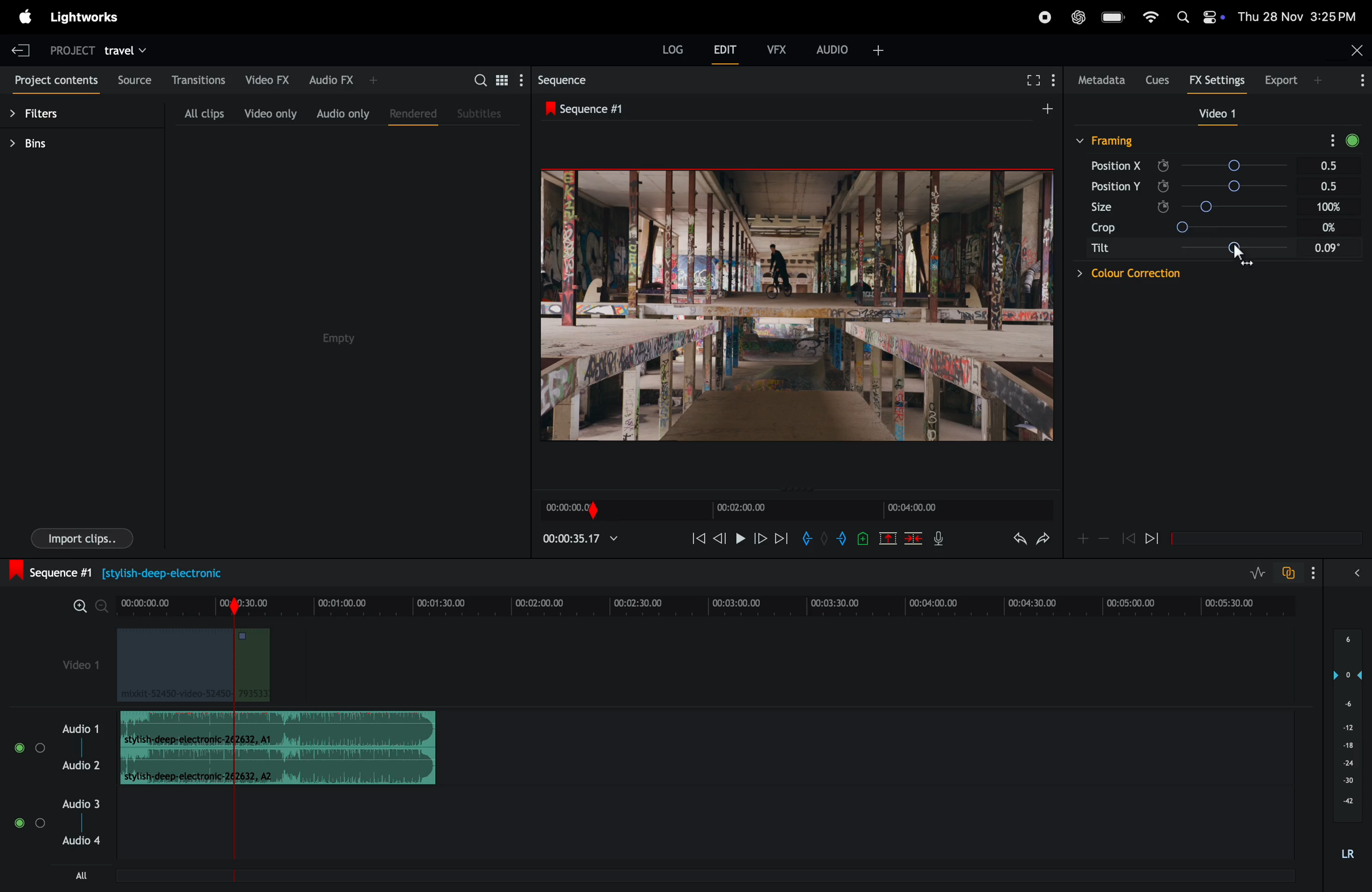 This screenshot has width=1372, height=892. I want to click on Fx settings, so click(1217, 81).